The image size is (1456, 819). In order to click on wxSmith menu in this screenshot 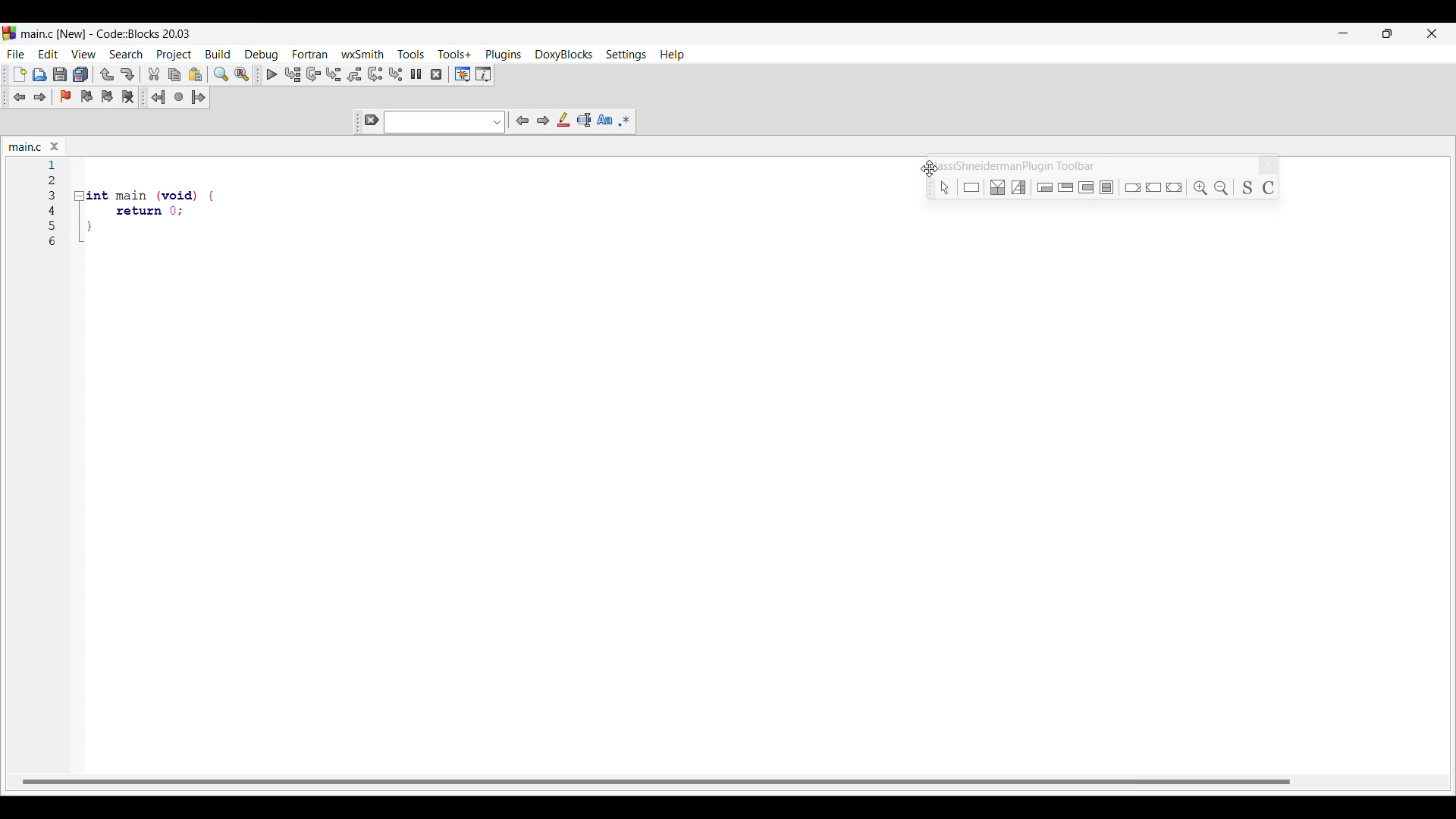, I will do `click(362, 54)`.